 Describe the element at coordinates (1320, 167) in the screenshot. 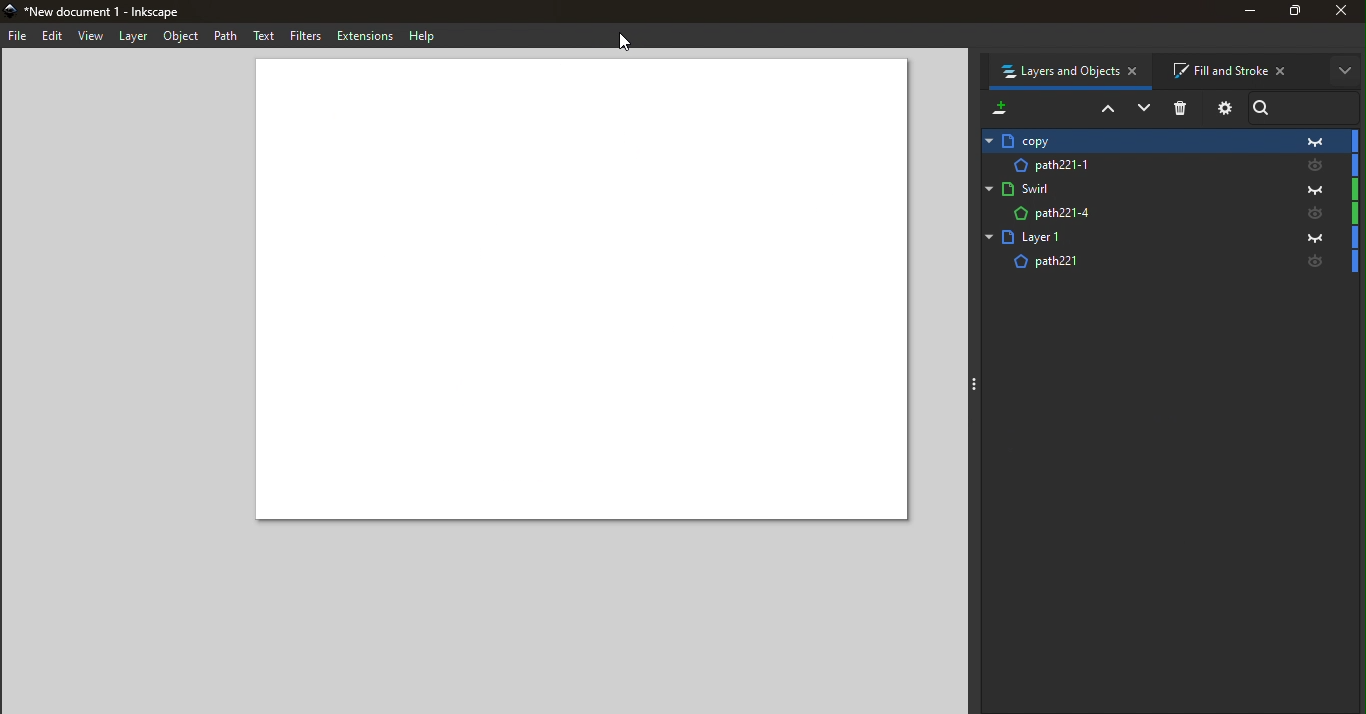

I see `hide/unhide layer` at that location.